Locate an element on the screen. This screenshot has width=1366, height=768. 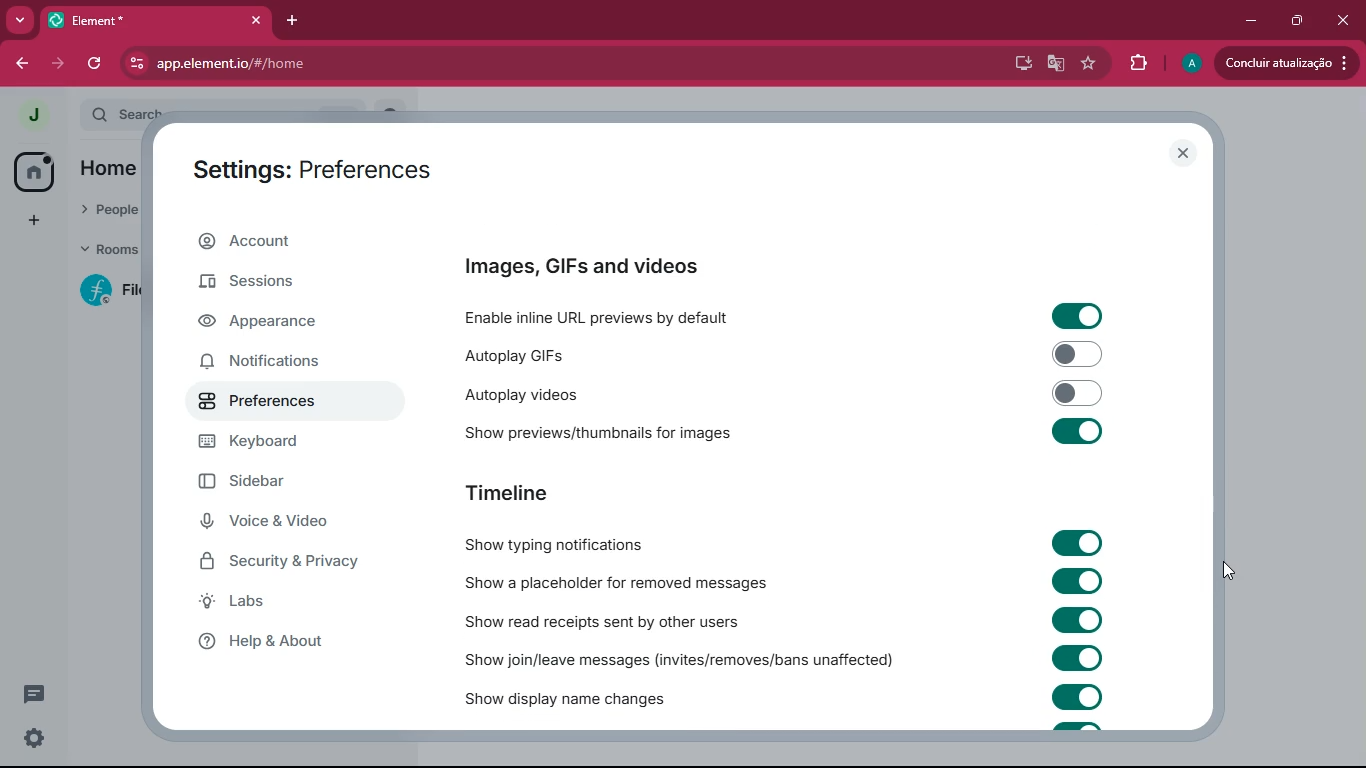
extensions is located at coordinates (1140, 63).